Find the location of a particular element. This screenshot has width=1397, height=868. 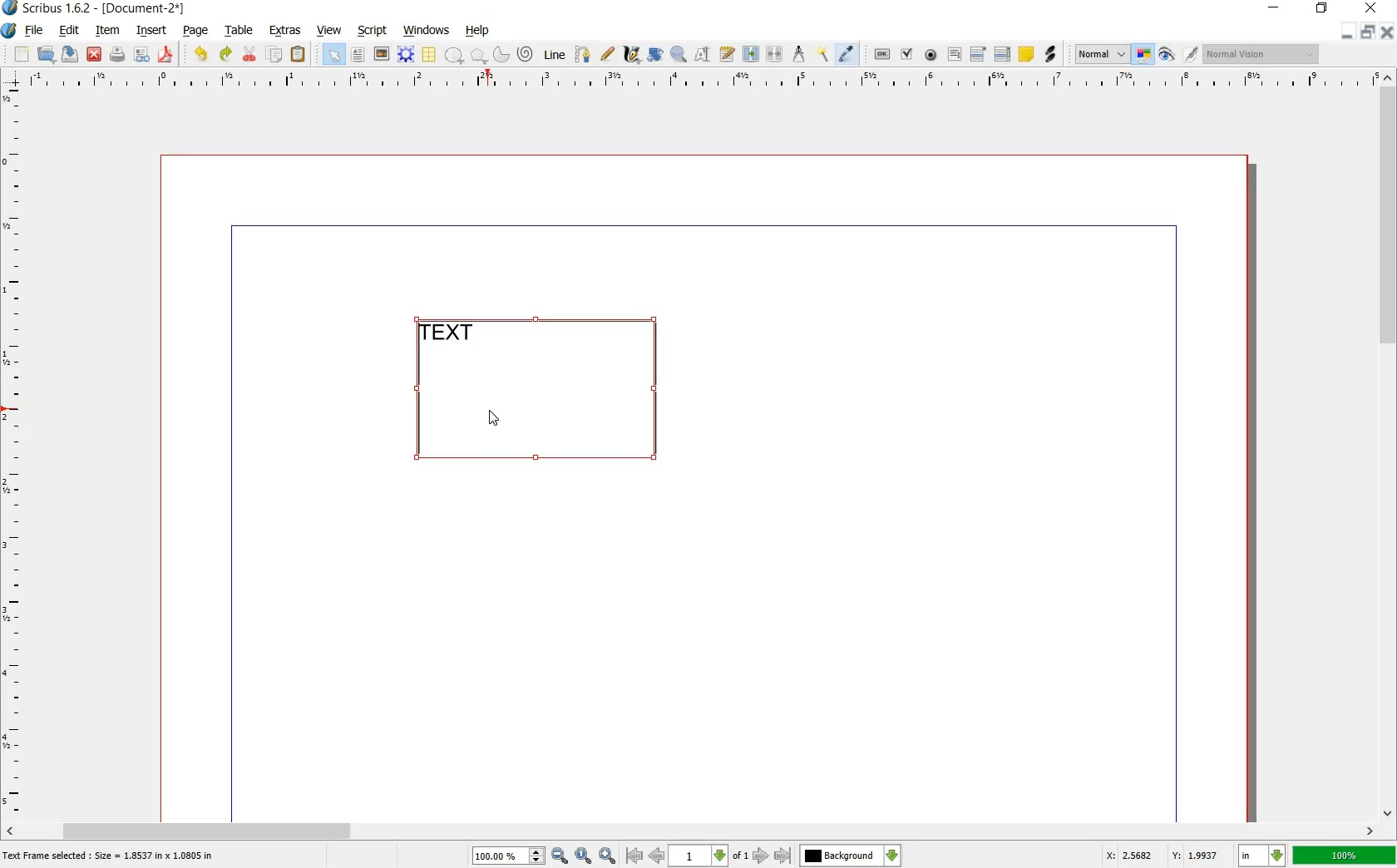

edit in preview mode is located at coordinates (1192, 55).